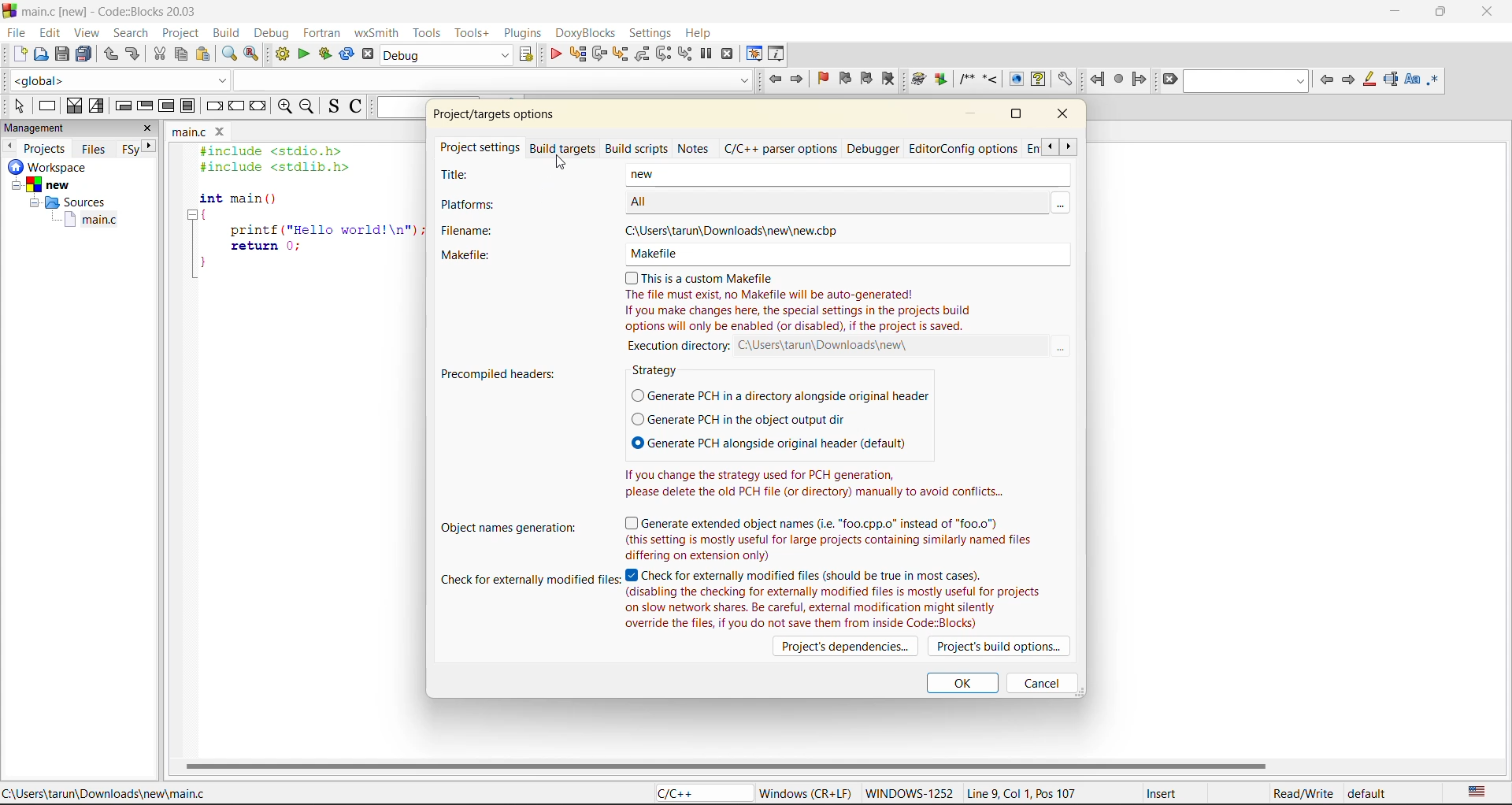 The width and height of the screenshot is (1512, 805). Describe the element at coordinates (18, 106) in the screenshot. I see `select` at that location.